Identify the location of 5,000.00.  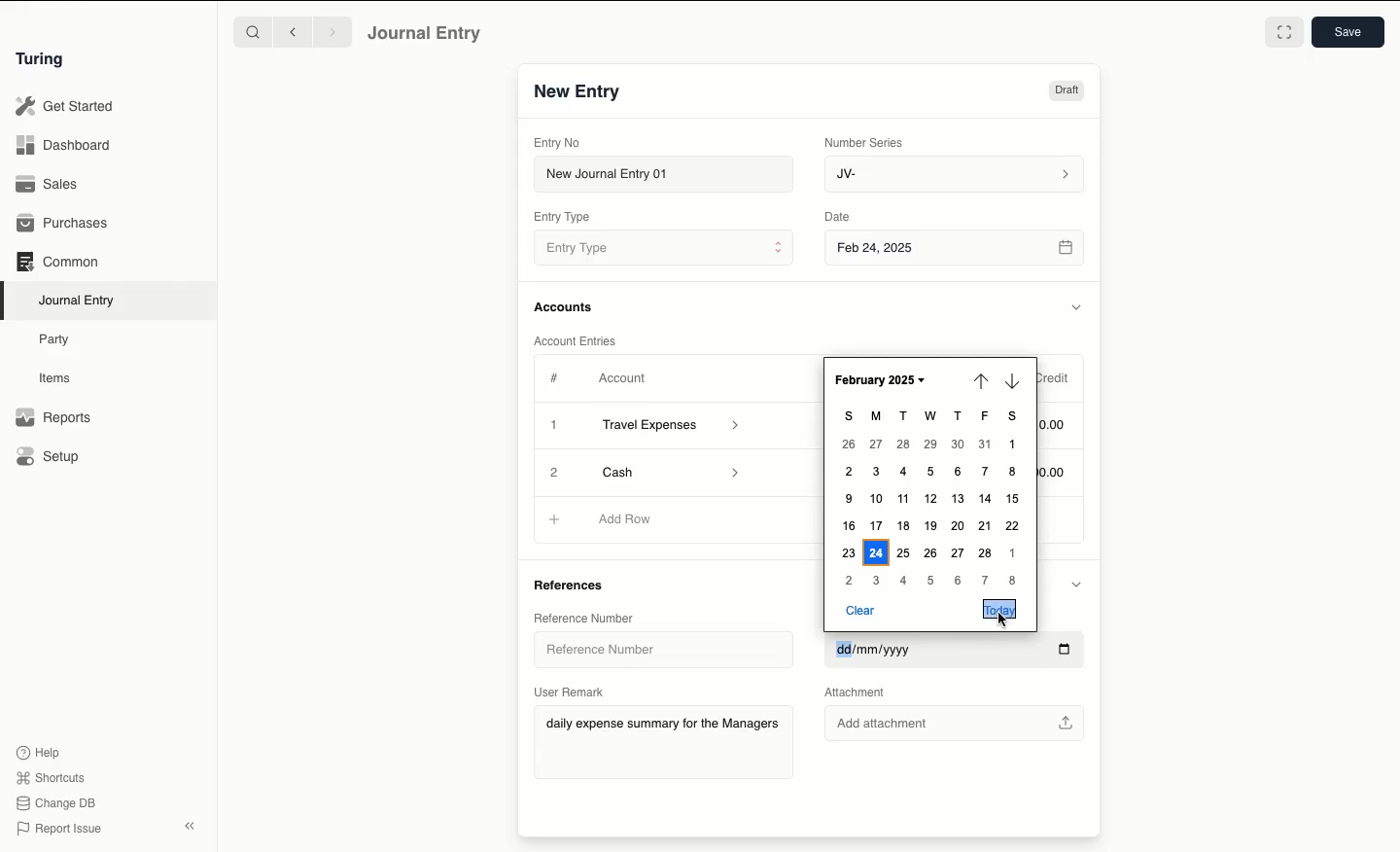
(1059, 473).